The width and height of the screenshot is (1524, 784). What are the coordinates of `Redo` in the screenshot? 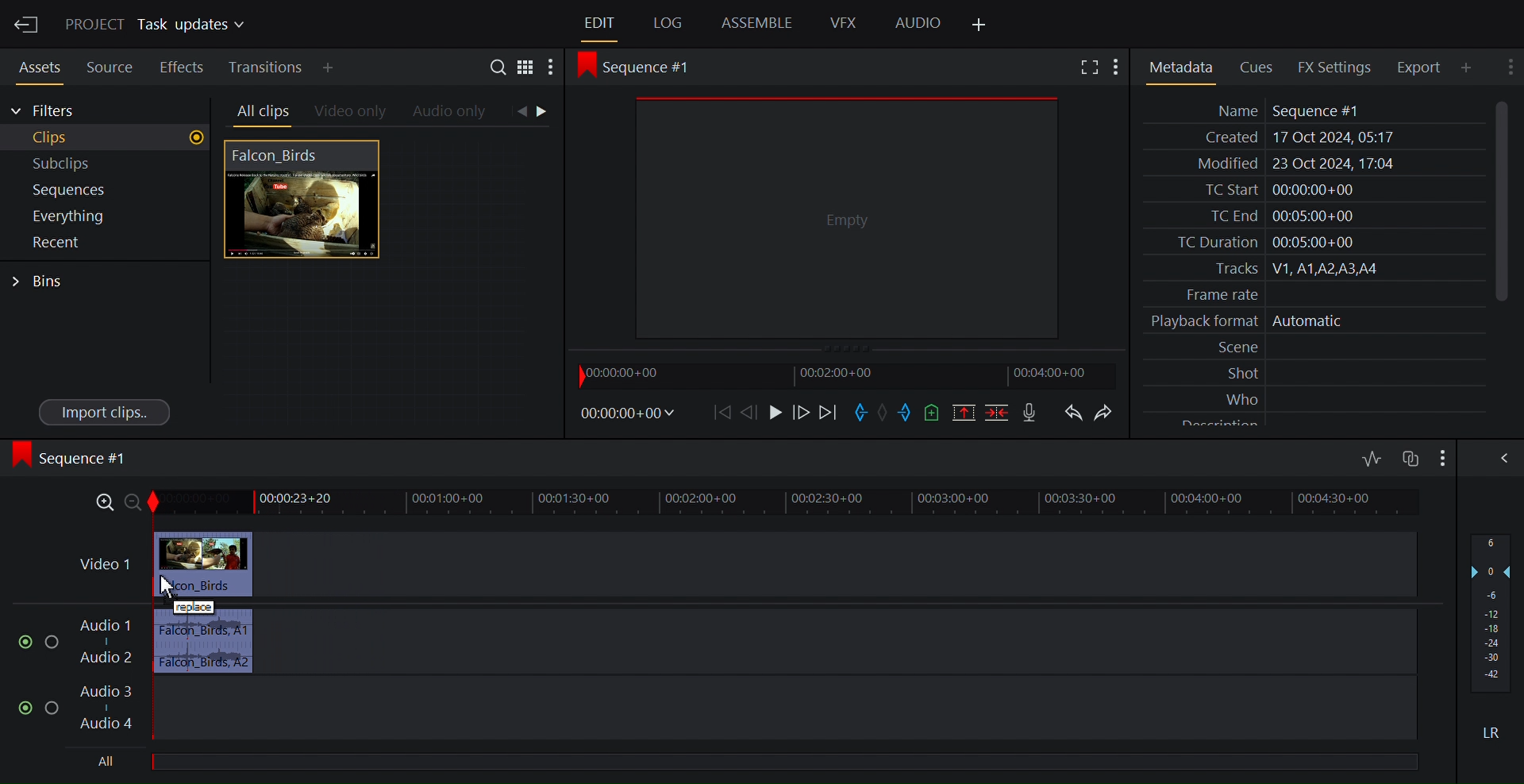 It's located at (1109, 413).